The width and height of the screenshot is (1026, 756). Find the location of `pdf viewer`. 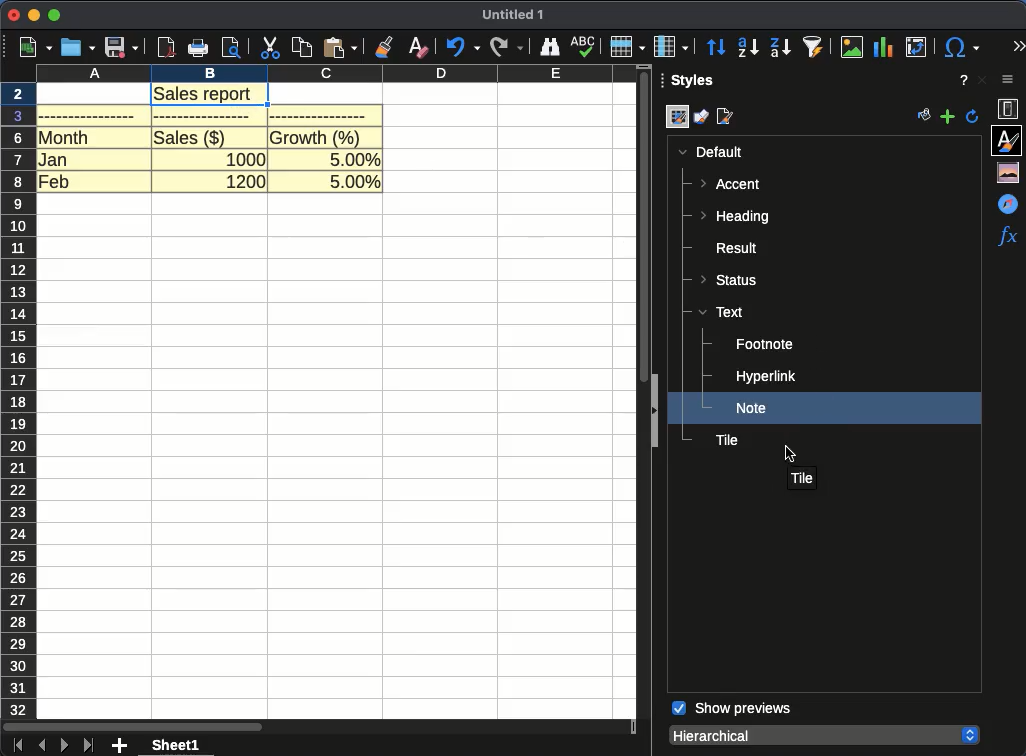

pdf viewer is located at coordinates (166, 48).